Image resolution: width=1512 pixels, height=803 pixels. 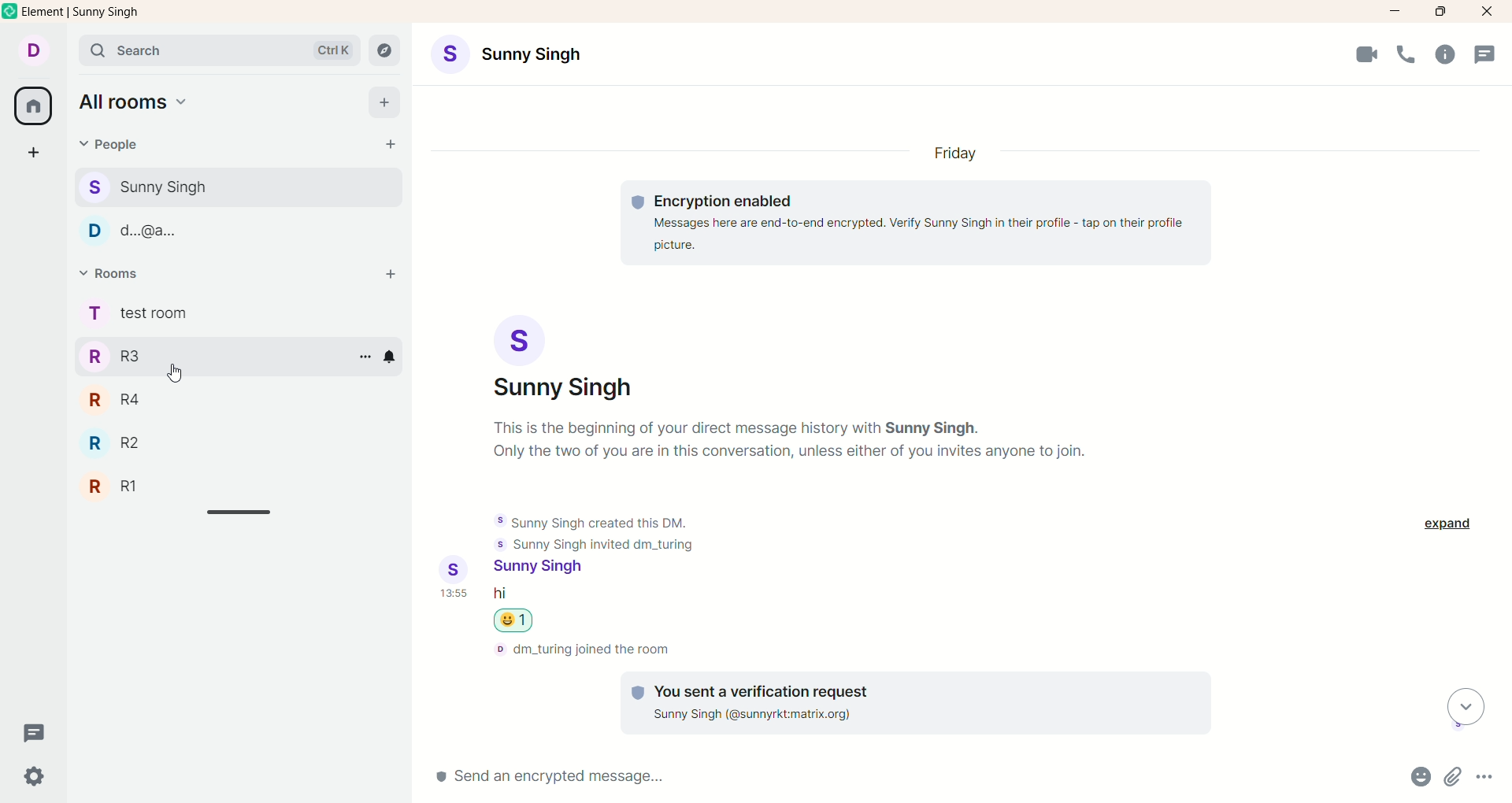 What do you see at coordinates (113, 143) in the screenshot?
I see `people` at bounding box center [113, 143].